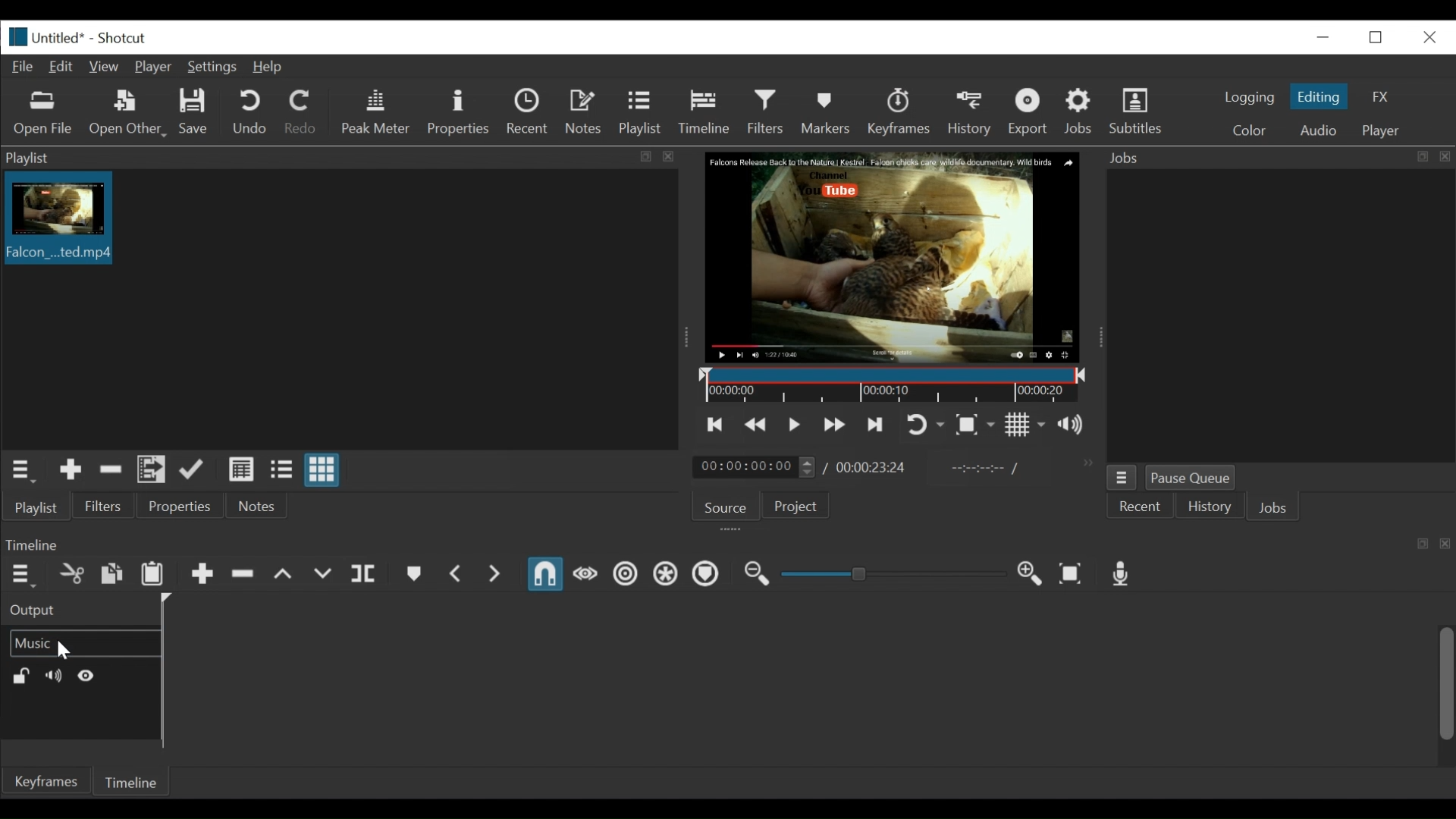 Image resolution: width=1456 pixels, height=819 pixels. I want to click on Play quickly backward, so click(757, 425).